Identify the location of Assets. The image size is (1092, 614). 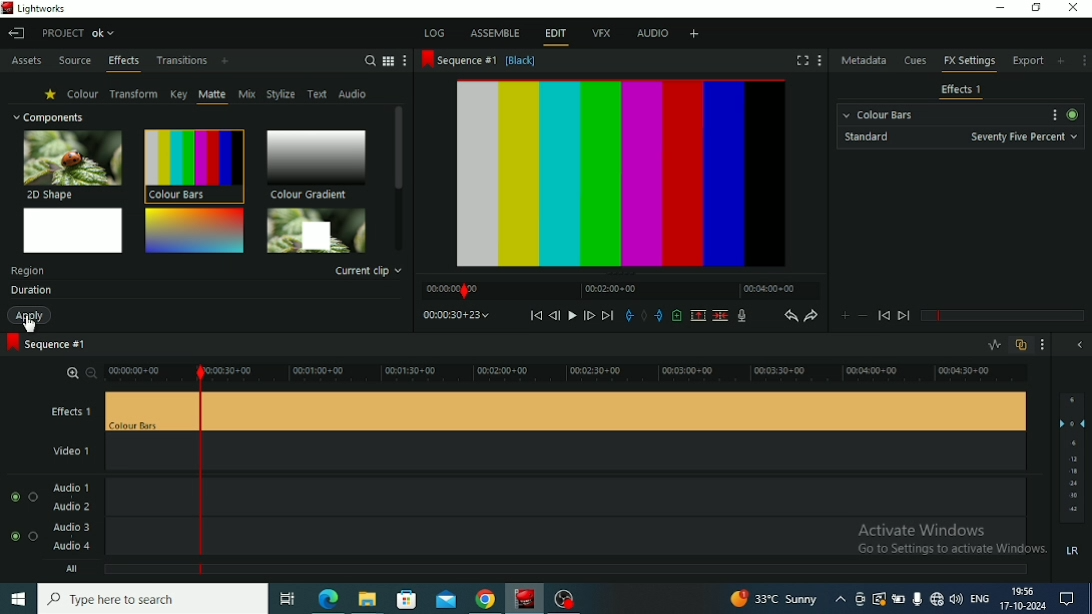
(26, 62).